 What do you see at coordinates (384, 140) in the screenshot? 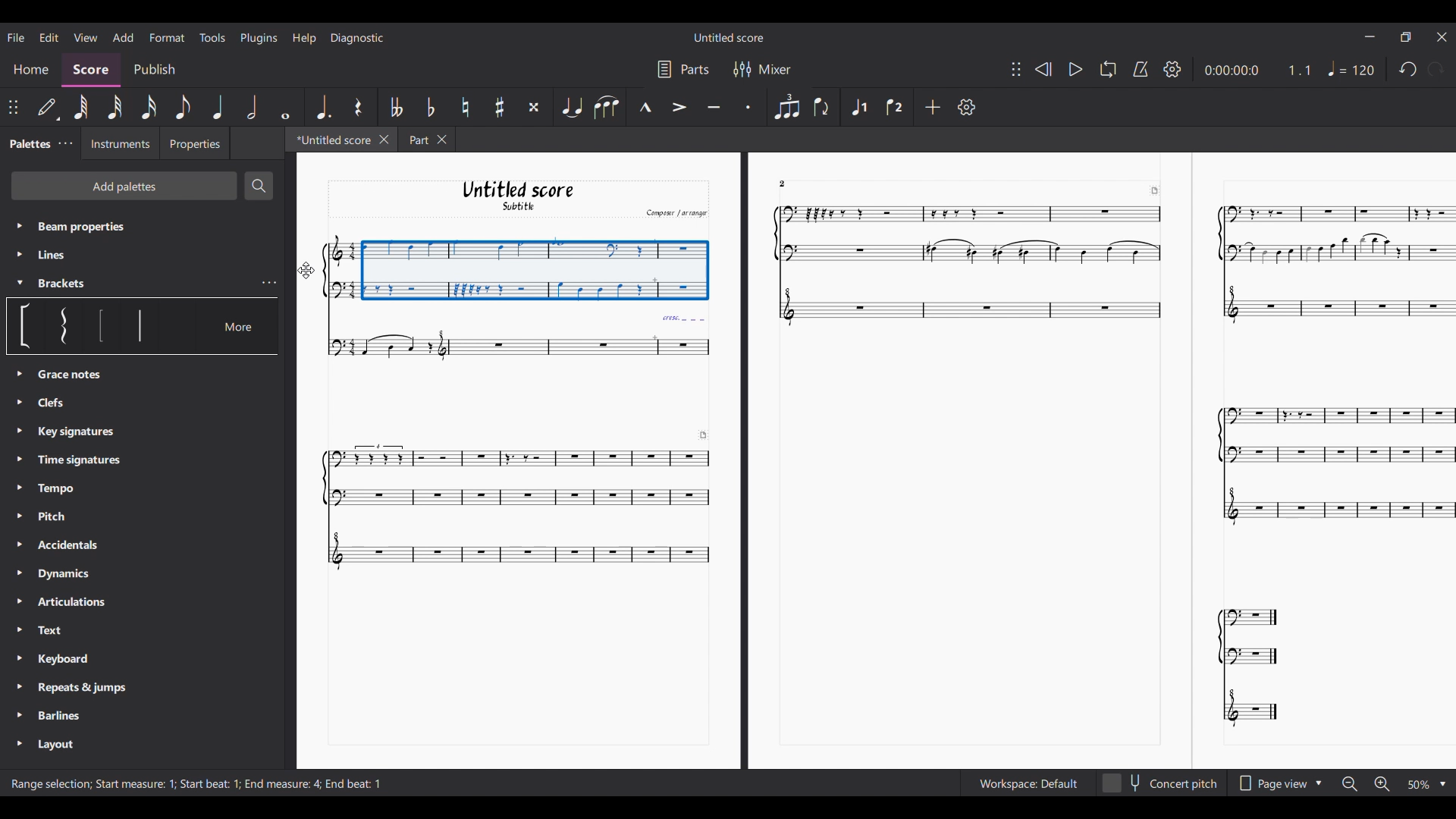
I see `Close` at bounding box center [384, 140].